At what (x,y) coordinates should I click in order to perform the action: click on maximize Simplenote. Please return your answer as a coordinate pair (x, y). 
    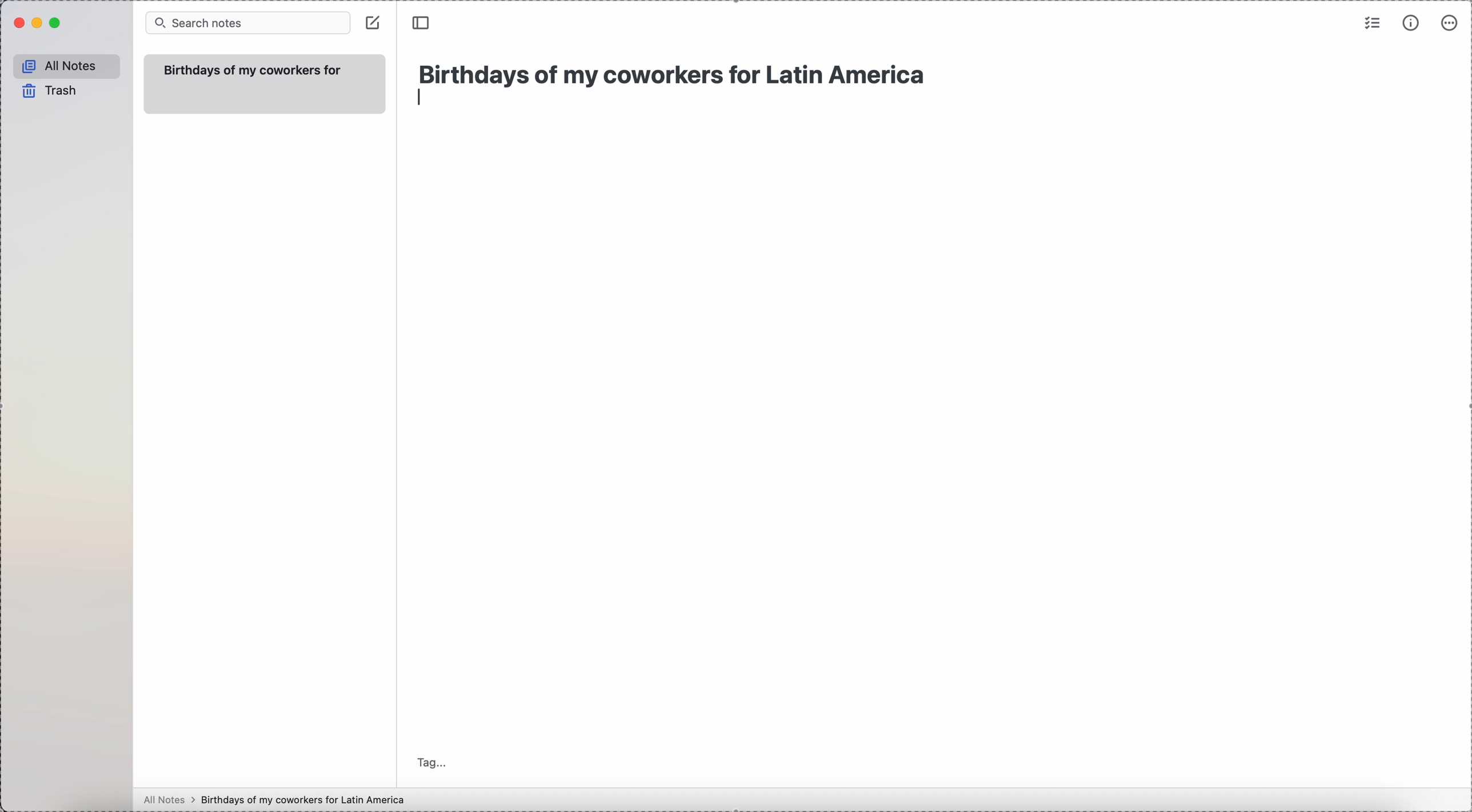
    Looking at the image, I should click on (56, 23).